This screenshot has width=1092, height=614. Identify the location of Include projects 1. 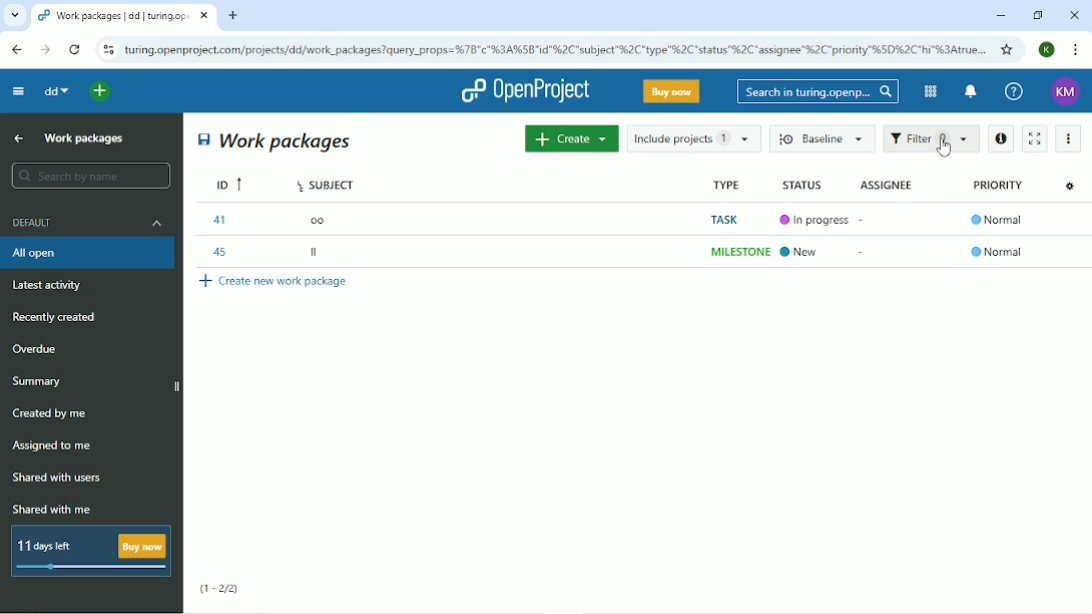
(694, 138).